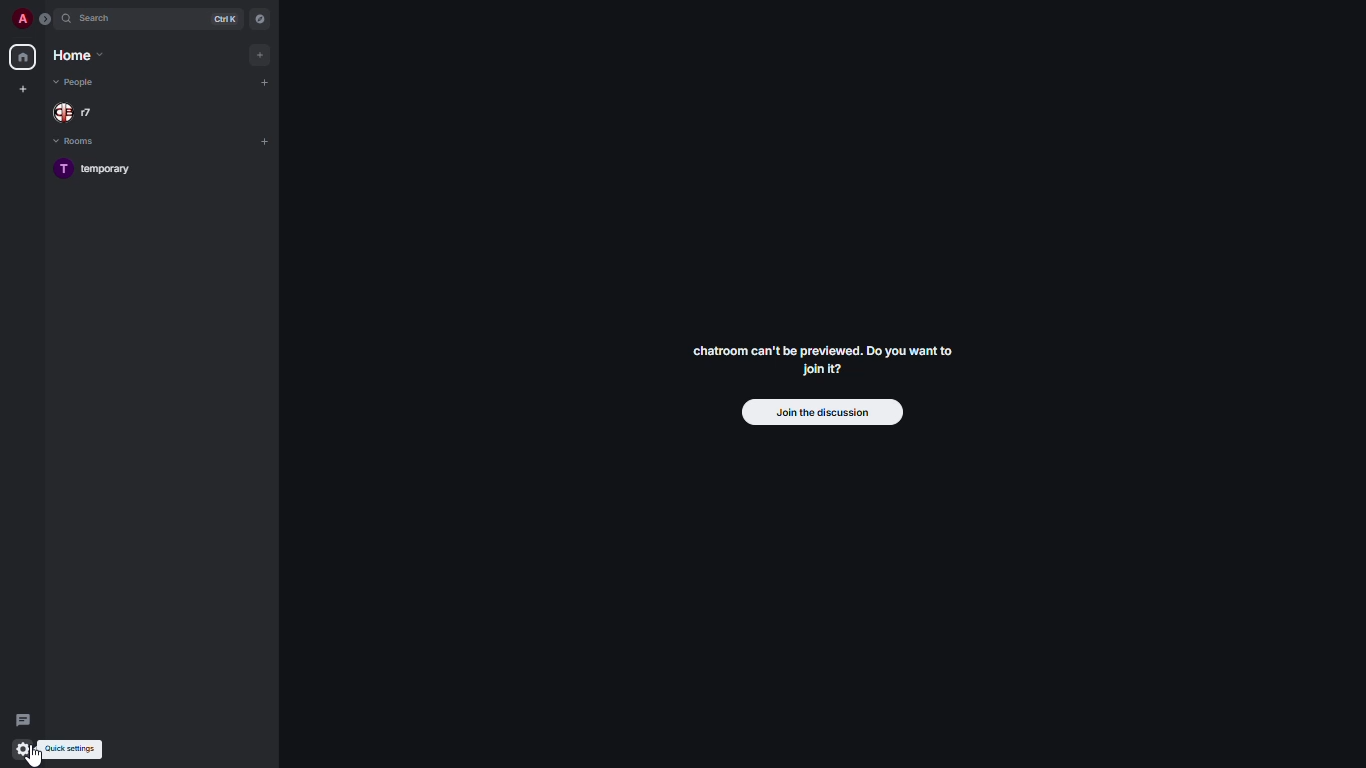  What do you see at coordinates (821, 360) in the screenshot?
I see `chatroom can't be previewed` at bounding box center [821, 360].